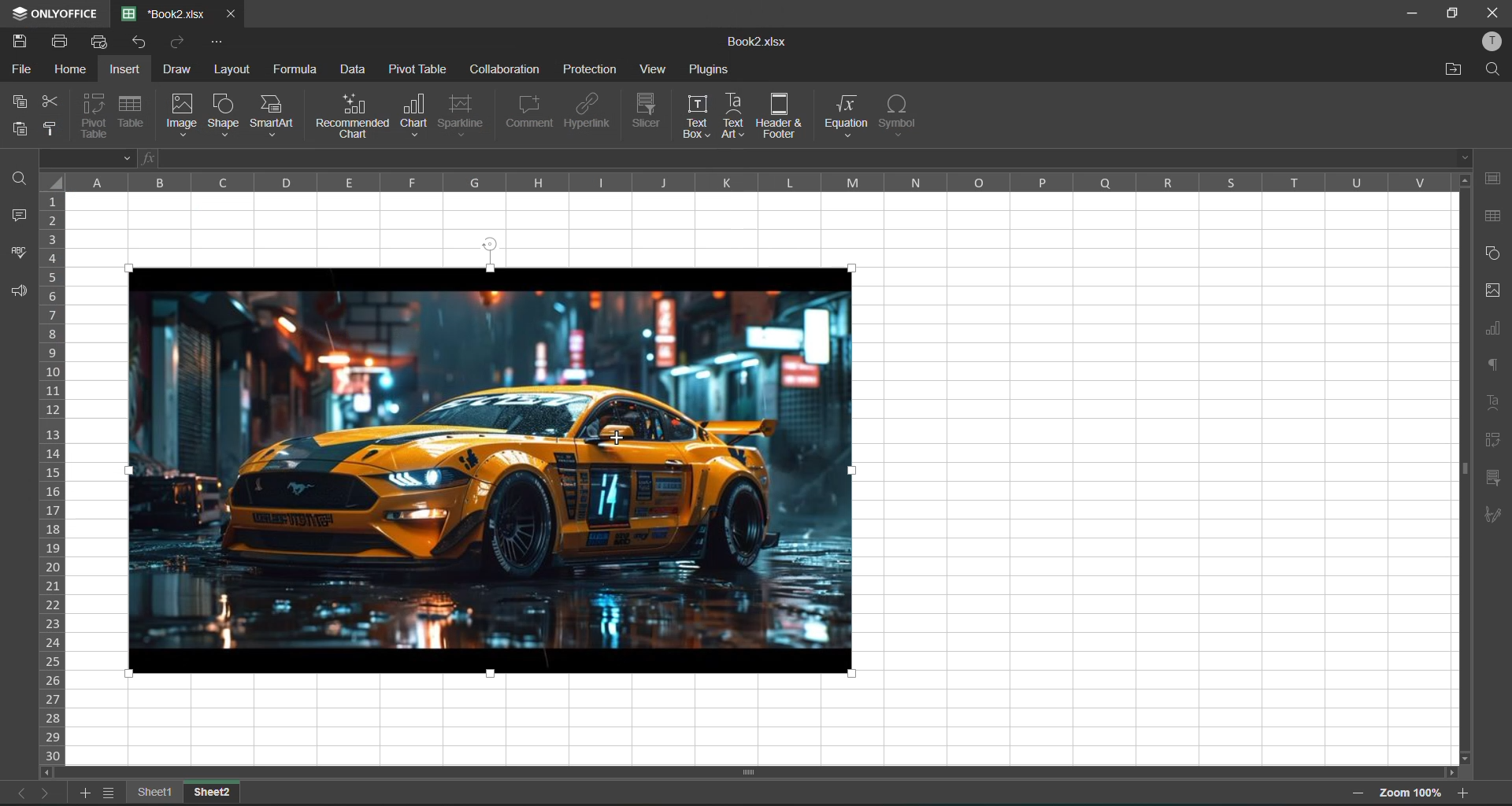 The width and height of the screenshot is (1512, 806). I want to click on print, so click(65, 42).